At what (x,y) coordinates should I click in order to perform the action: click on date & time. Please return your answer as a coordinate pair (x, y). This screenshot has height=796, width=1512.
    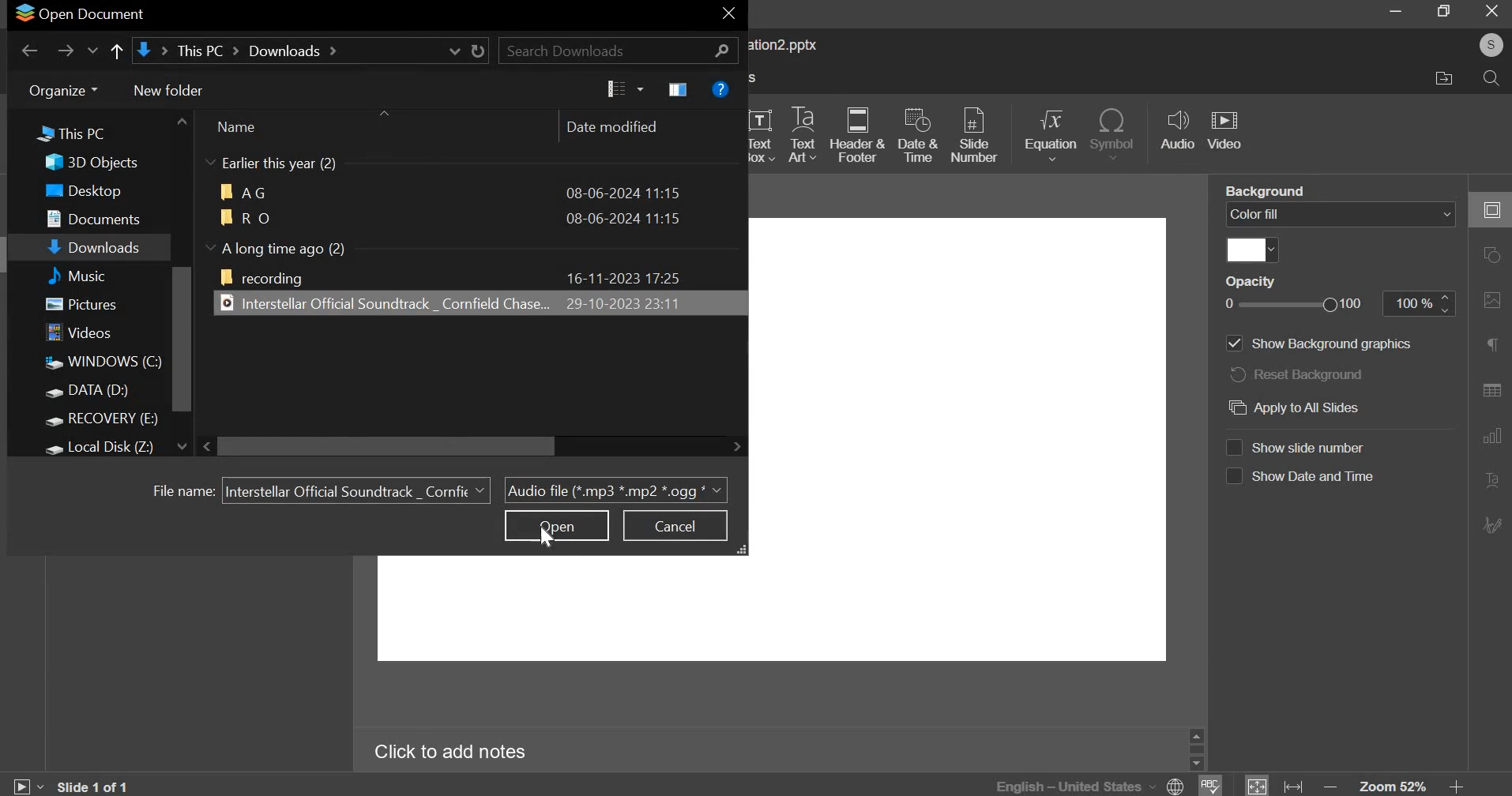
    Looking at the image, I should click on (918, 134).